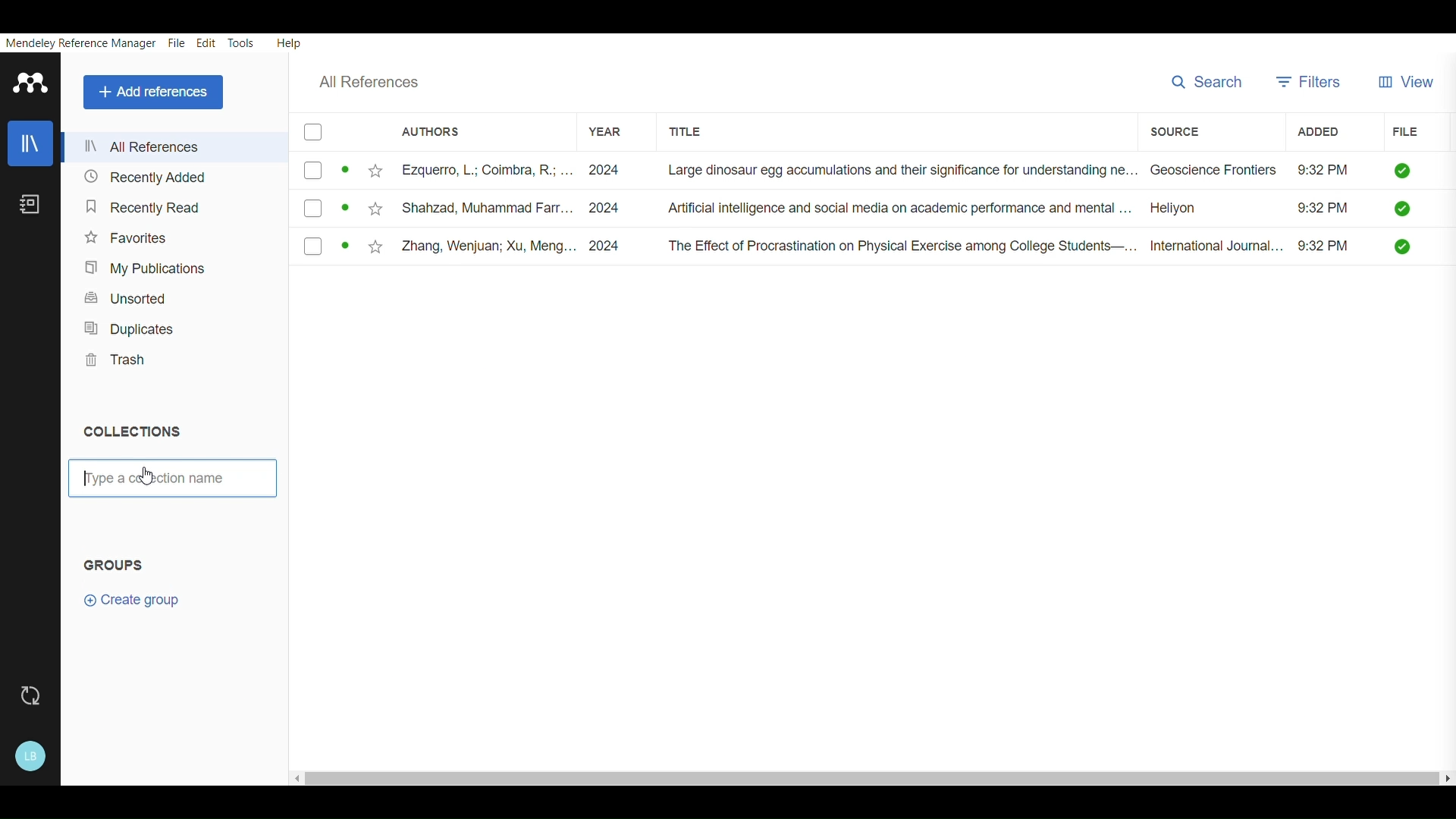 The image size is (1456, 819). What do you see at coordinates (142, 177) in the screenshot?
I see `Recently Added` at bounding box center [142, 177].